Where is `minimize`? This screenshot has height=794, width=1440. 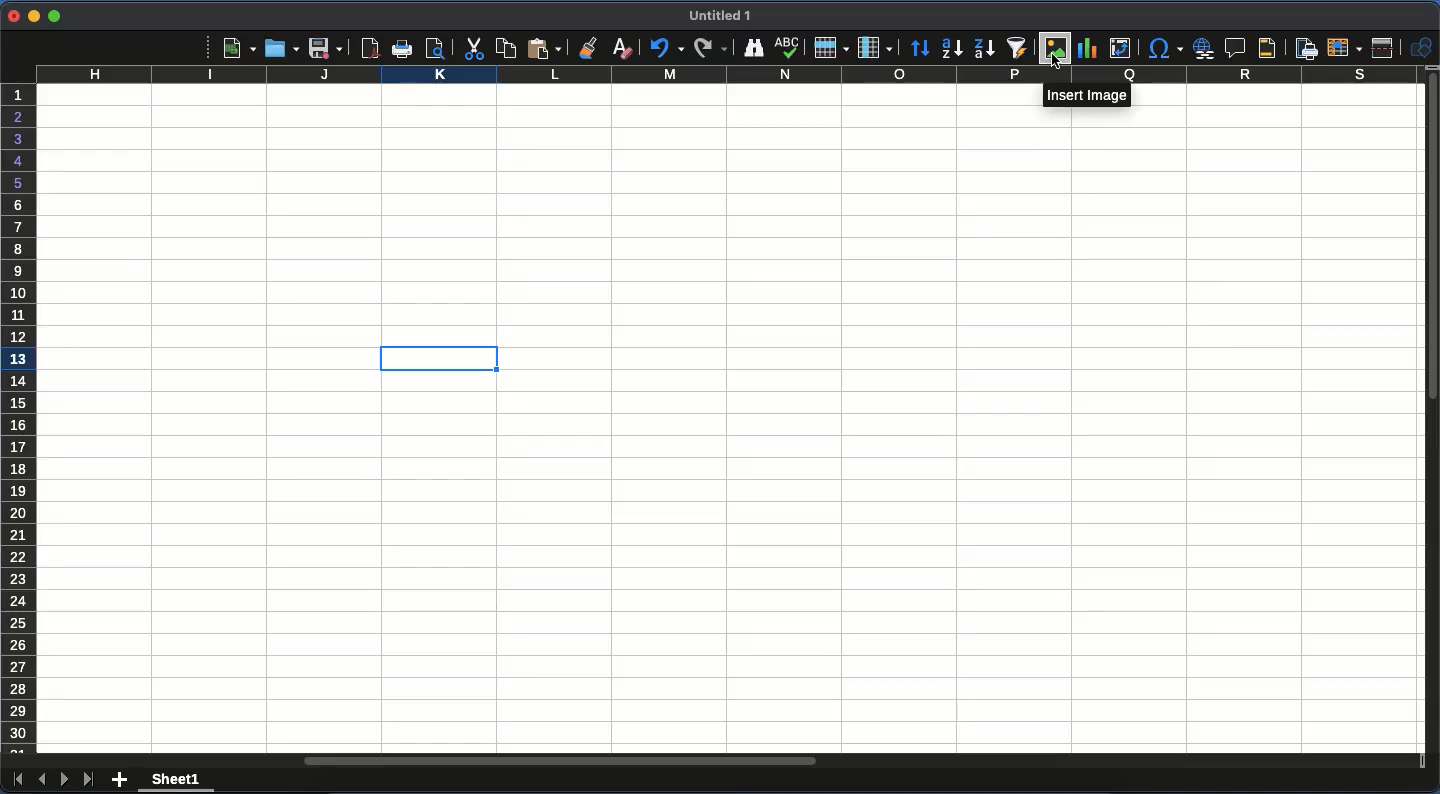 minimize is located at coordinates (33, 16).